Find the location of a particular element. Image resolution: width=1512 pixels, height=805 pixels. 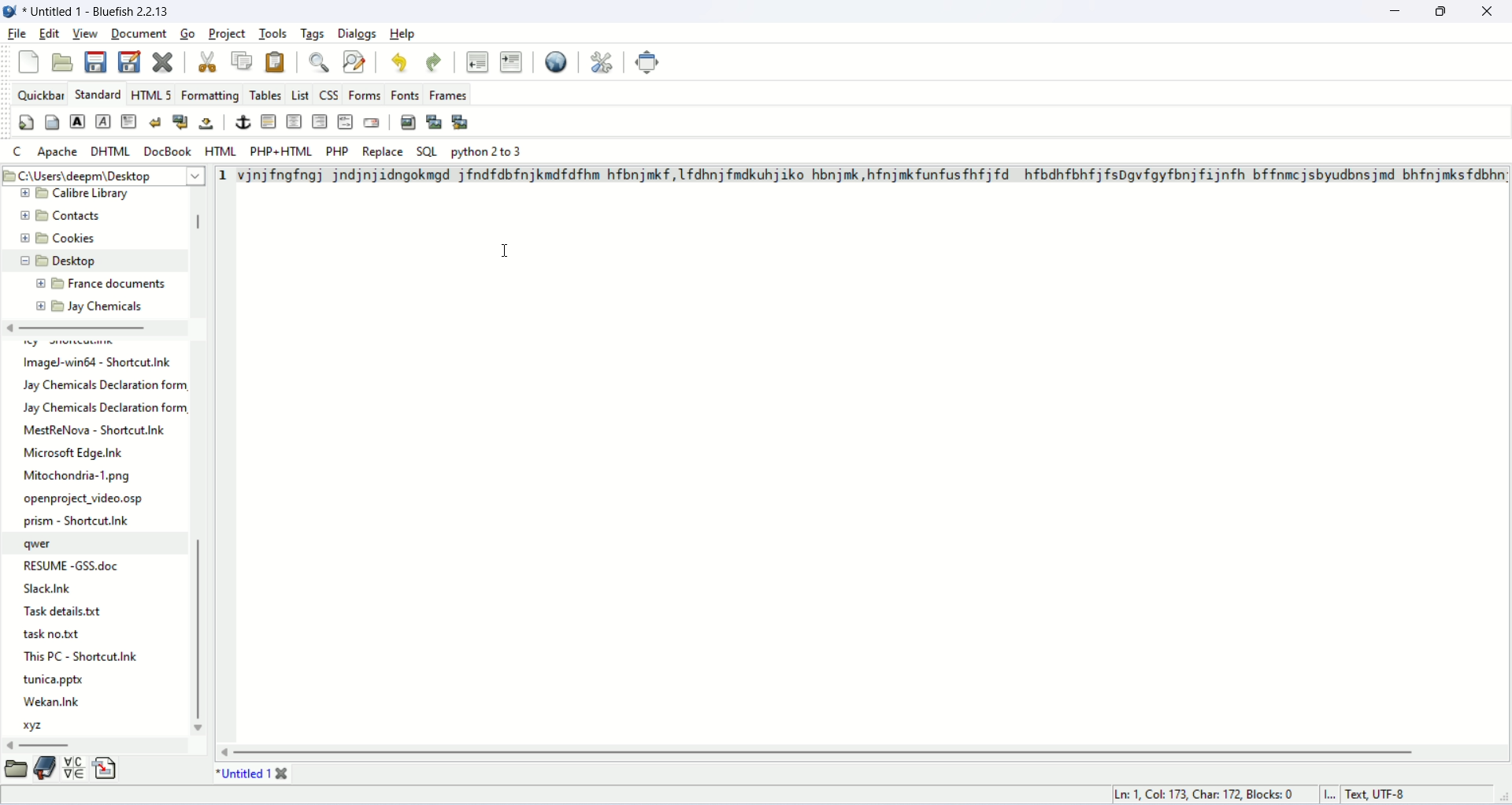

quickbar is located at coordinates (38, 94).